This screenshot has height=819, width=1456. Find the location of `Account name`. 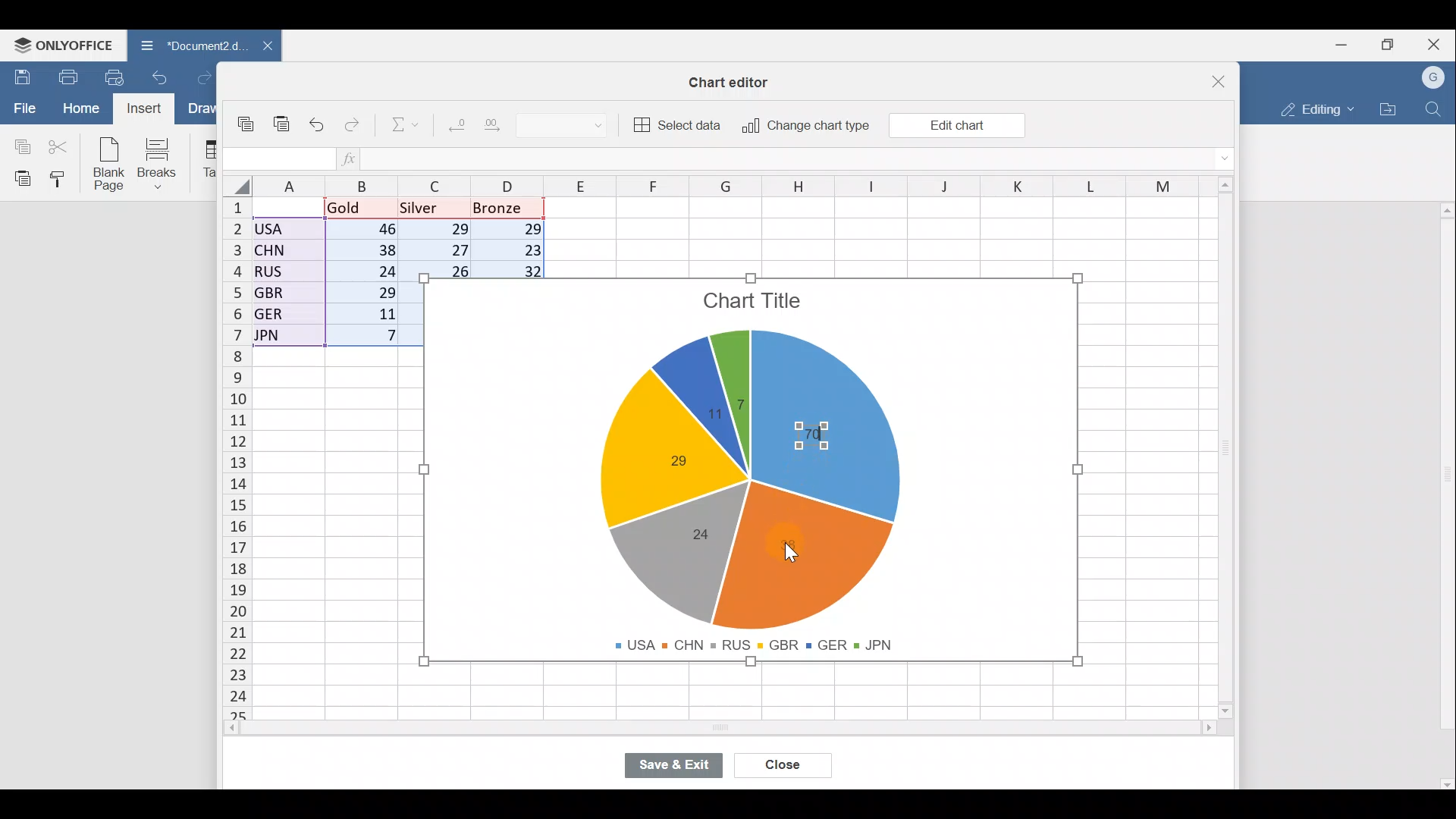

Account name is located at coordinates (1434, 78).